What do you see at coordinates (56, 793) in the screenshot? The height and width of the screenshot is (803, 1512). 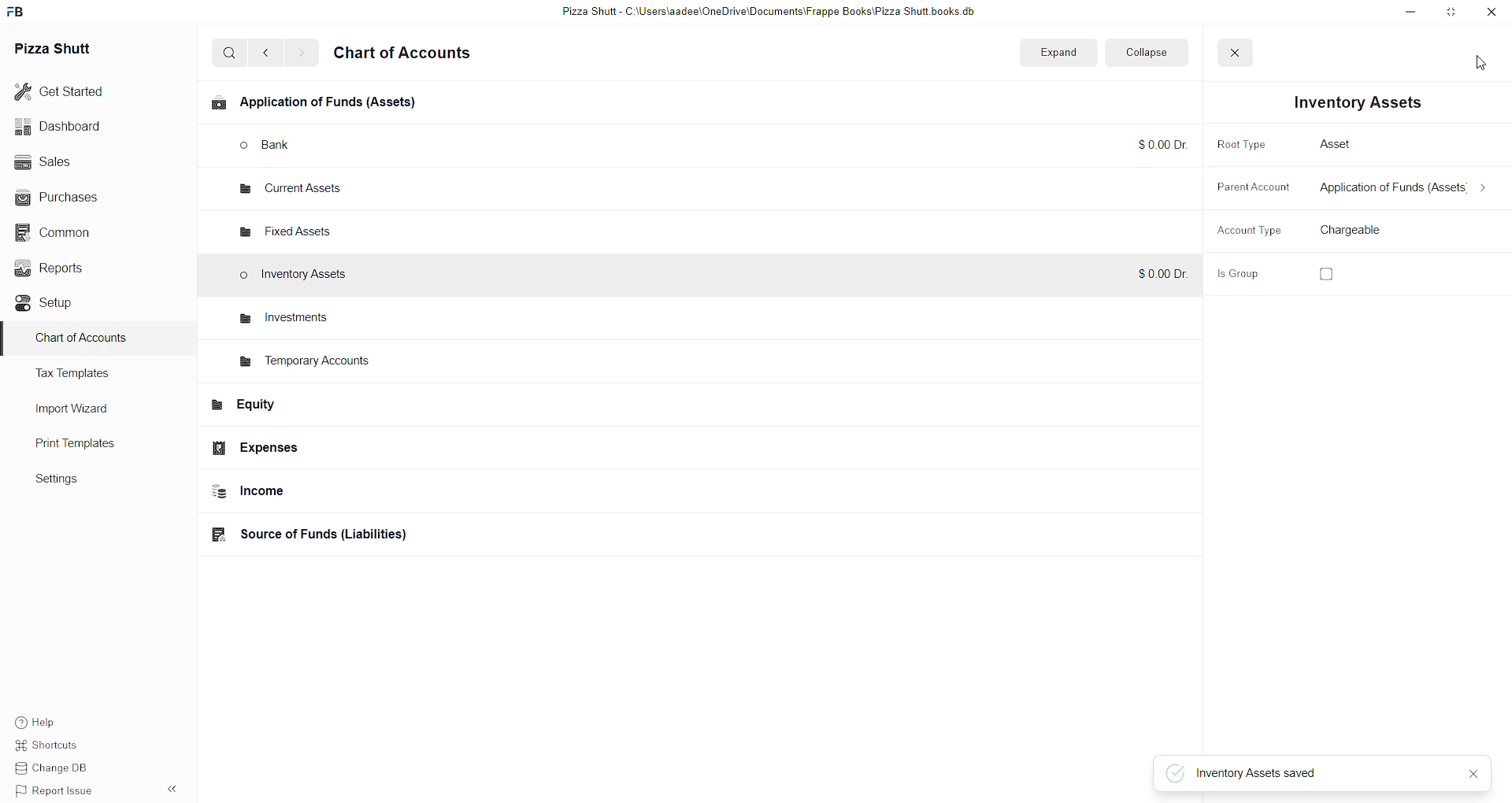 I see `Report issue` at bounding box center [56, 793].